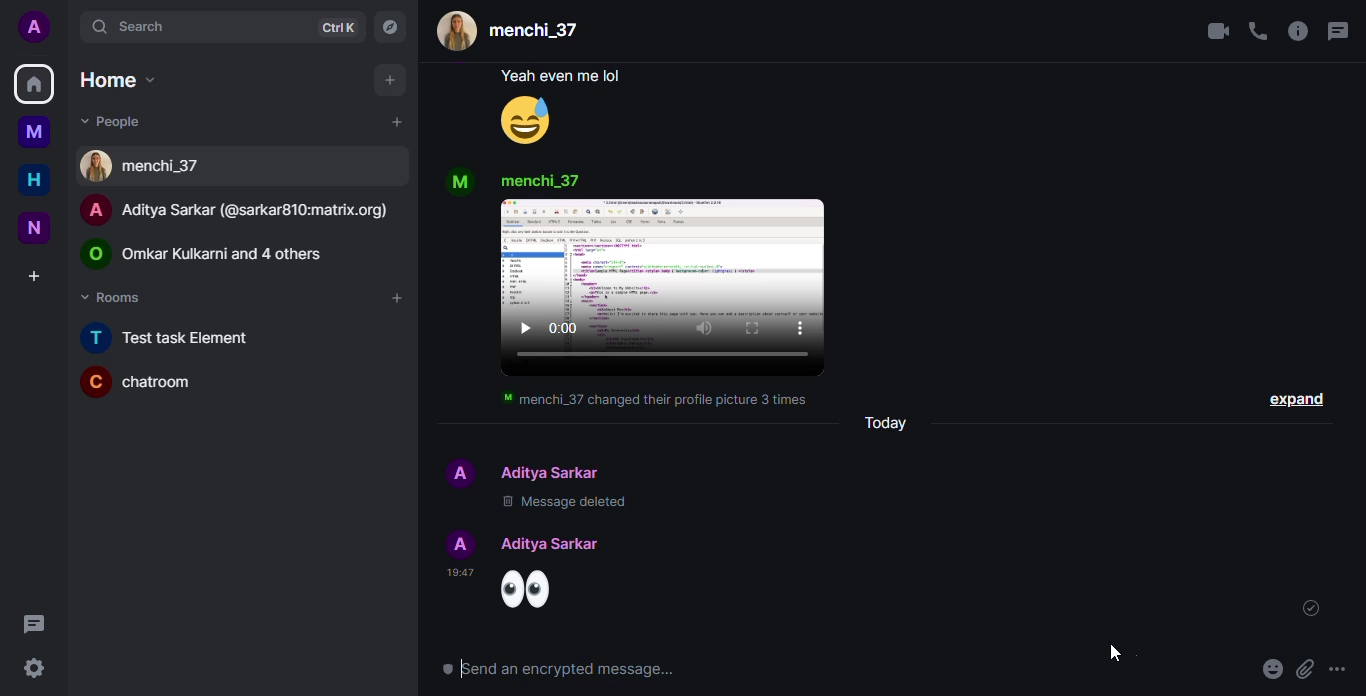 The width and height of the screenshot is (1366, 696). What do you see at coordinates (566, 182) in the screenshot?
I see `menchi_37` at bounding box center [566, 182].